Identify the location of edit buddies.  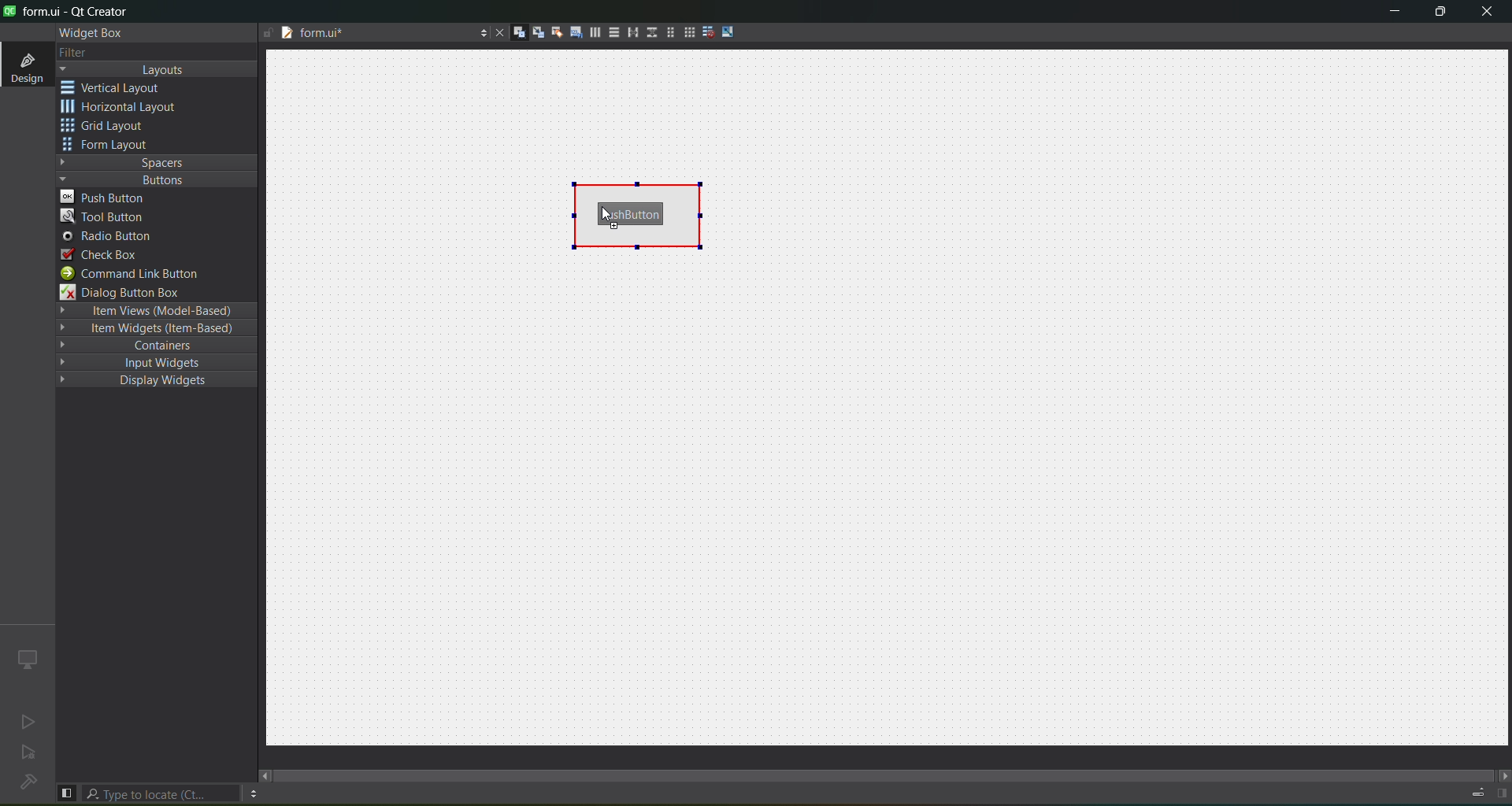
(554, 31).